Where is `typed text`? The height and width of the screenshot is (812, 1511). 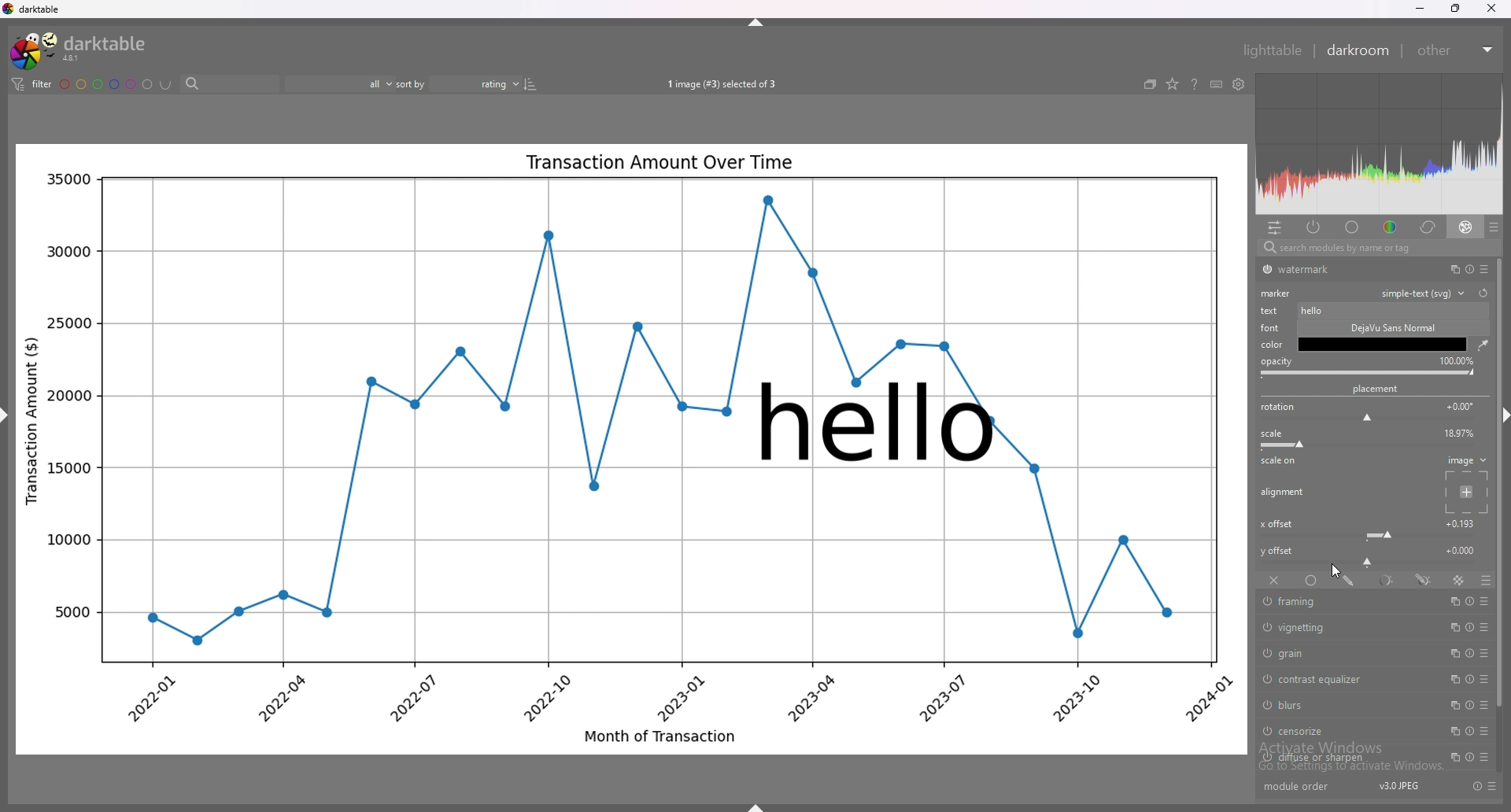 typed text is located at coordinates (1313, 311).